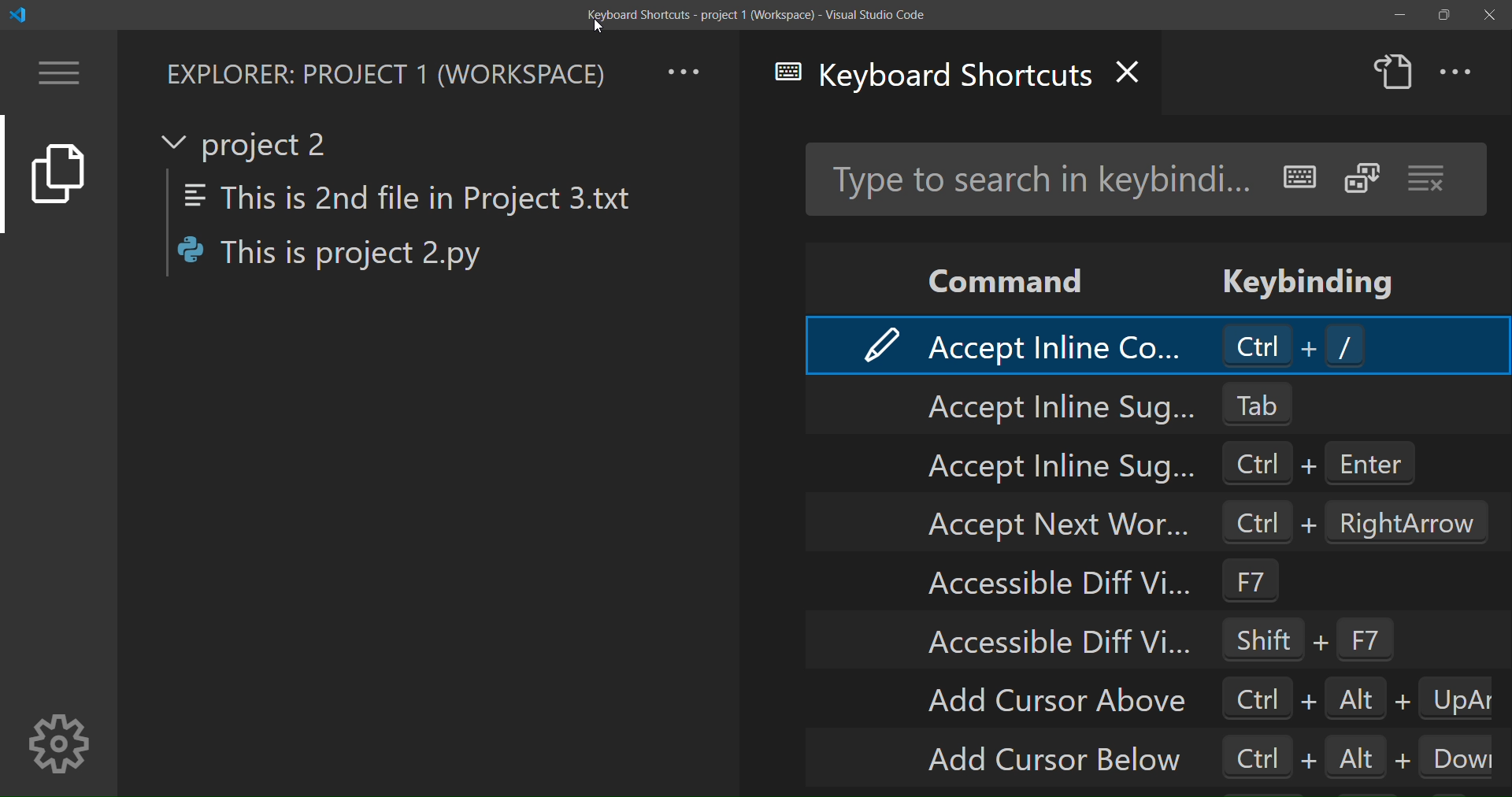 The width and height of the screenshot is (1512, 797). Describe the element at coordinates (1137, 70) in the screenshot. I see `close tab` at that location.